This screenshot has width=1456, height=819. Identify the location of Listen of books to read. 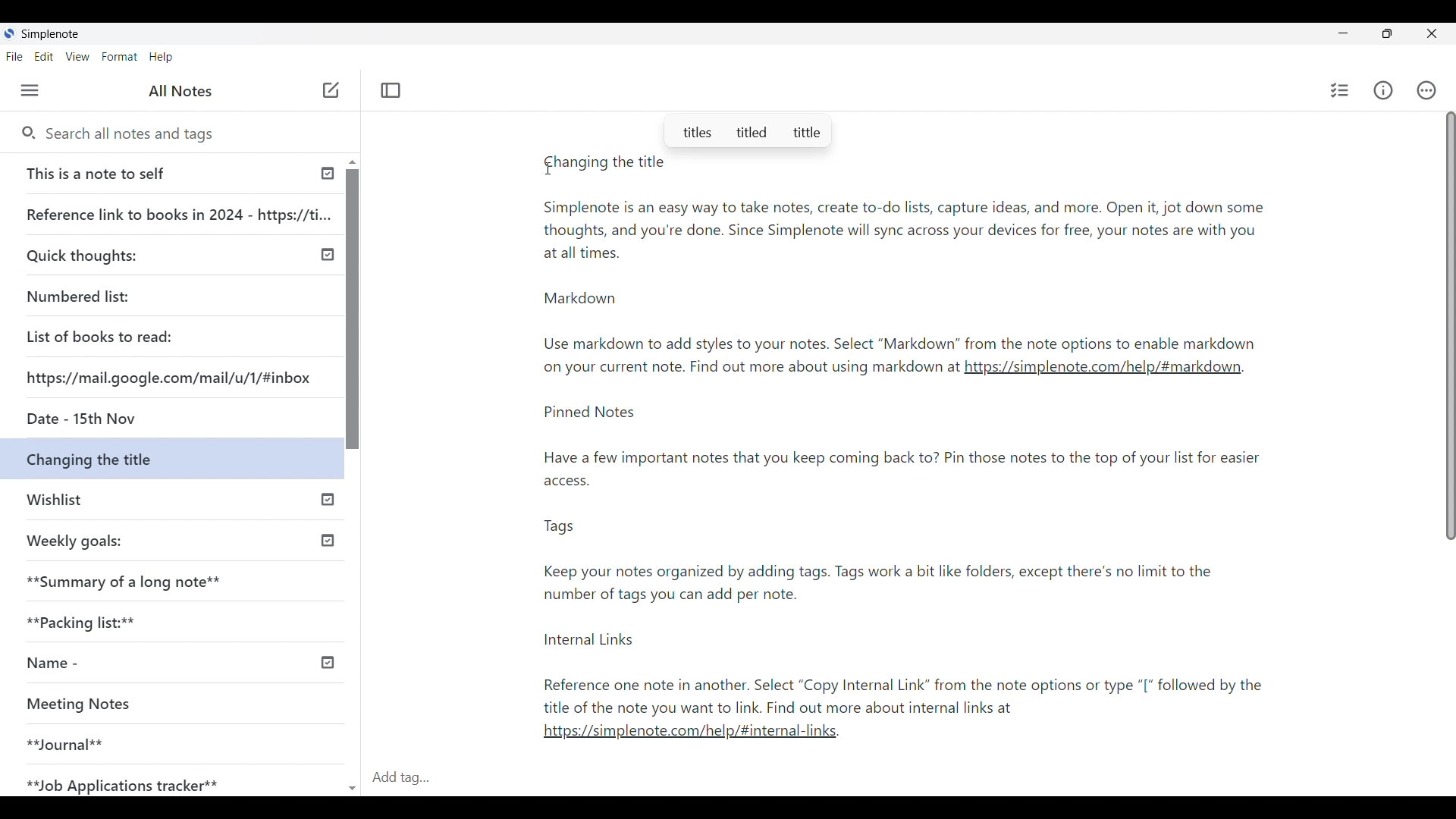
(106, 335).